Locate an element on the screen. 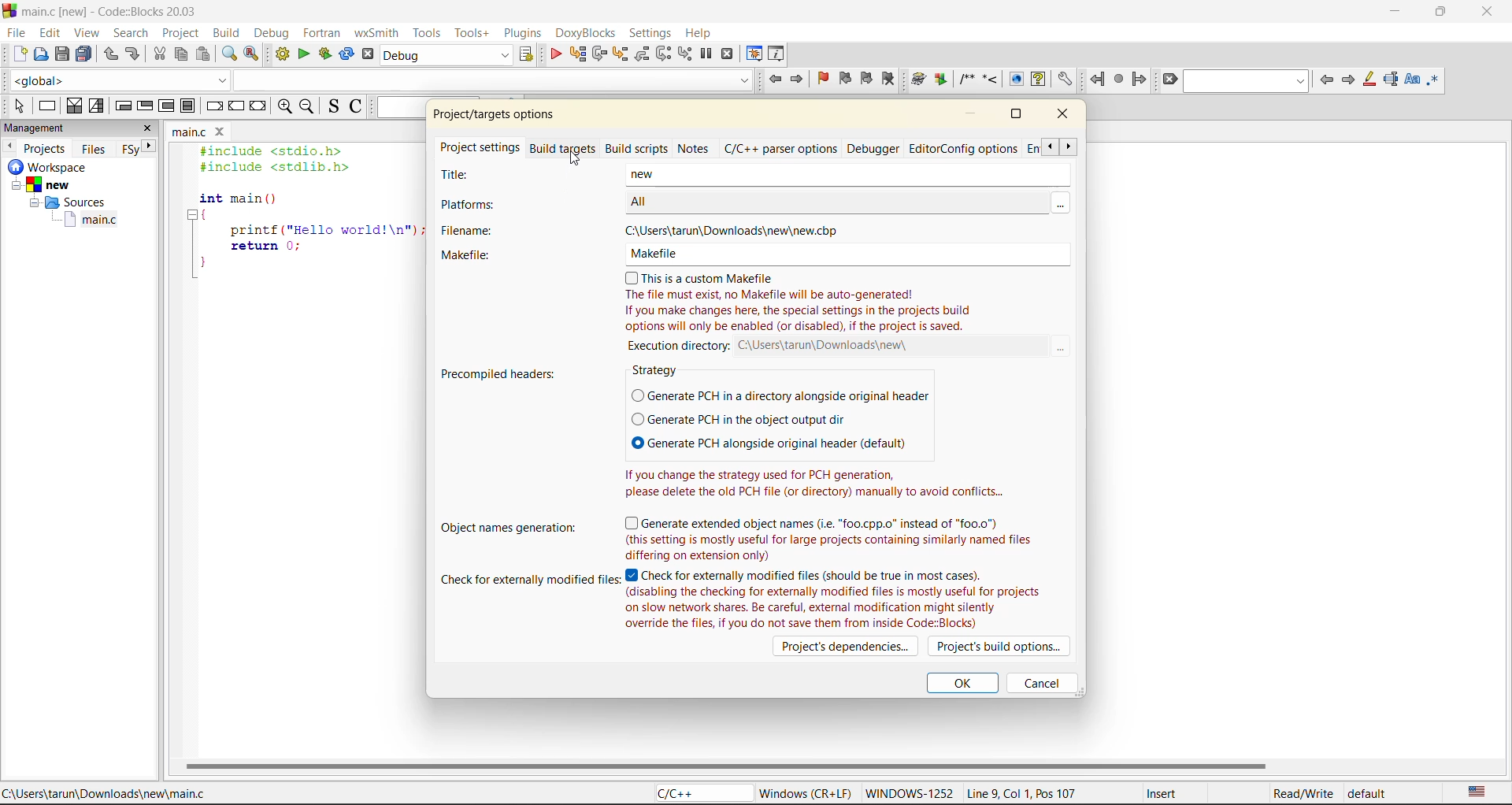 The width and height of the screenshot is (1512, 805). Windows (CR + LF) is located at coordinates (806, 792).